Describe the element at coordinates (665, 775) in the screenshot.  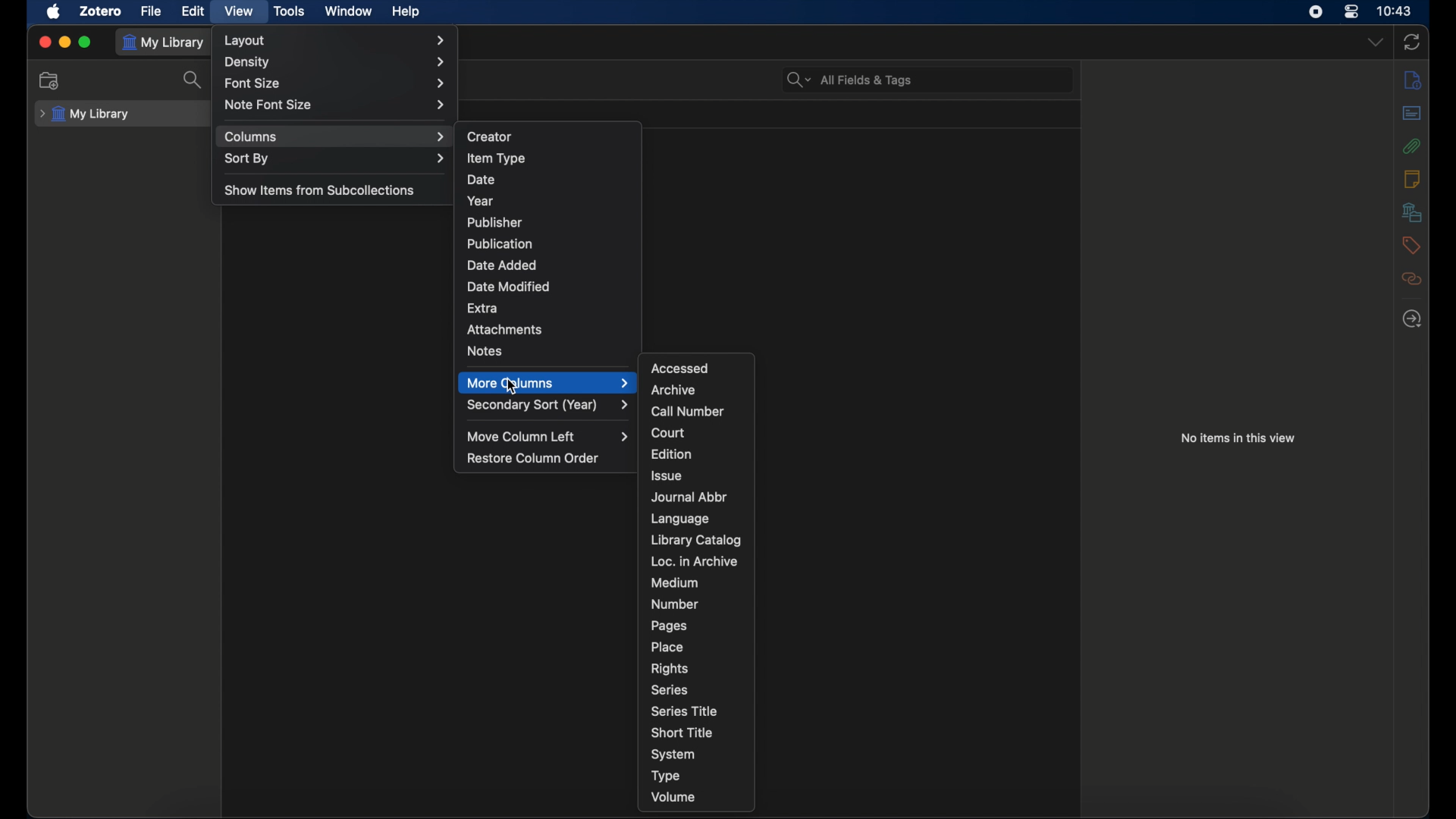
I see `type` at that location.